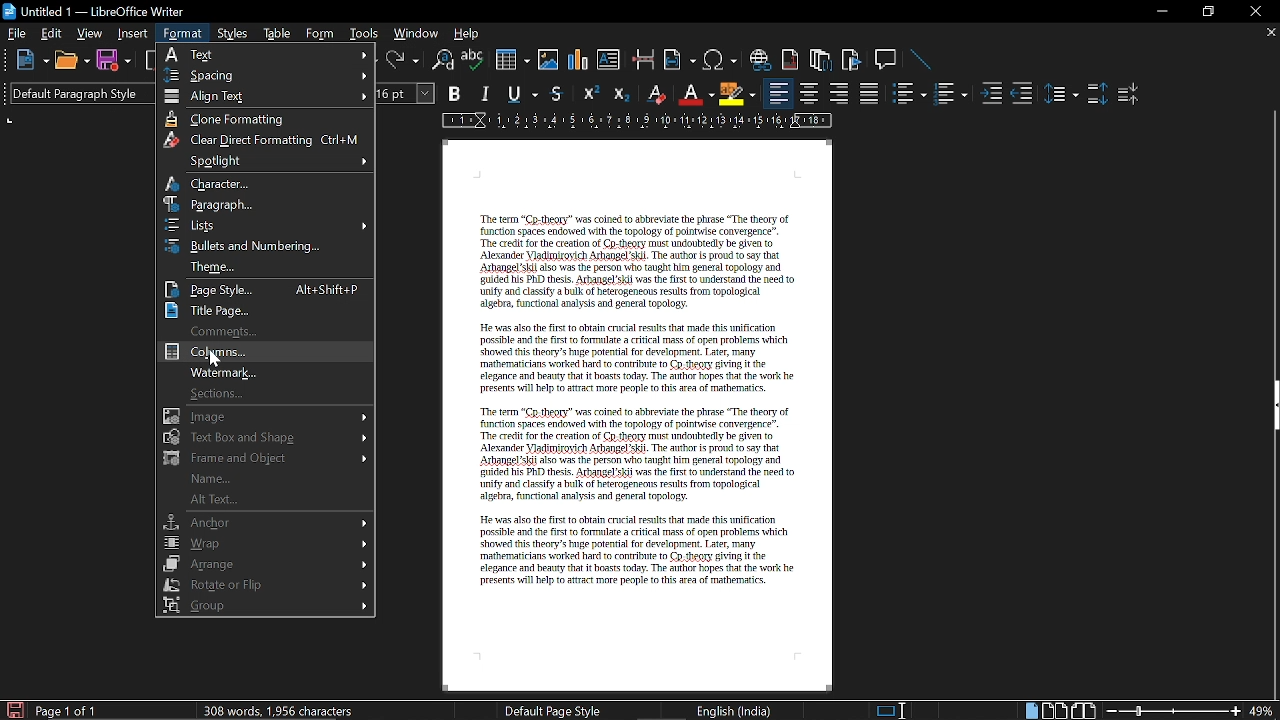  I want to click on Image, so click(266, 416).